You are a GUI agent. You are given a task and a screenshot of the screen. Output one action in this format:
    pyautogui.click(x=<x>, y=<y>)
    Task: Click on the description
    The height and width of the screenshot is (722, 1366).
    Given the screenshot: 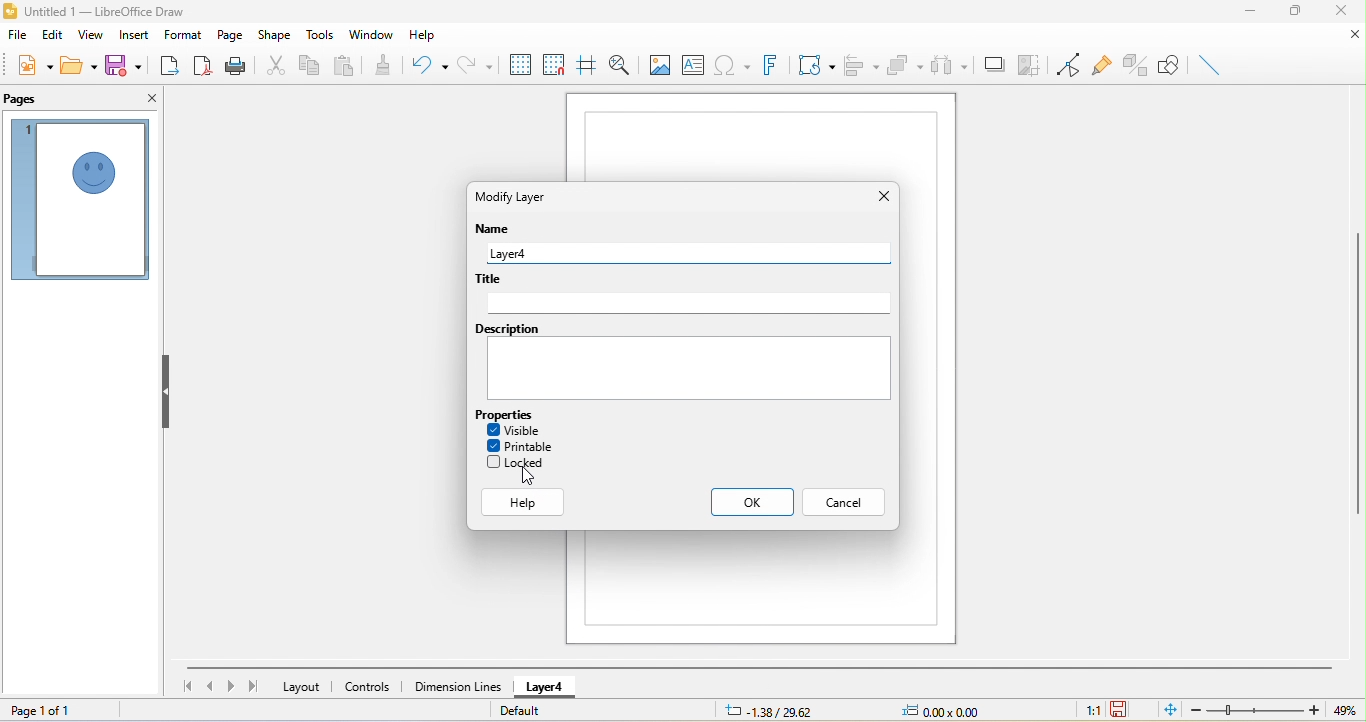 What is the action you would take?
    pyautogui.click(x=683, y=366)
    